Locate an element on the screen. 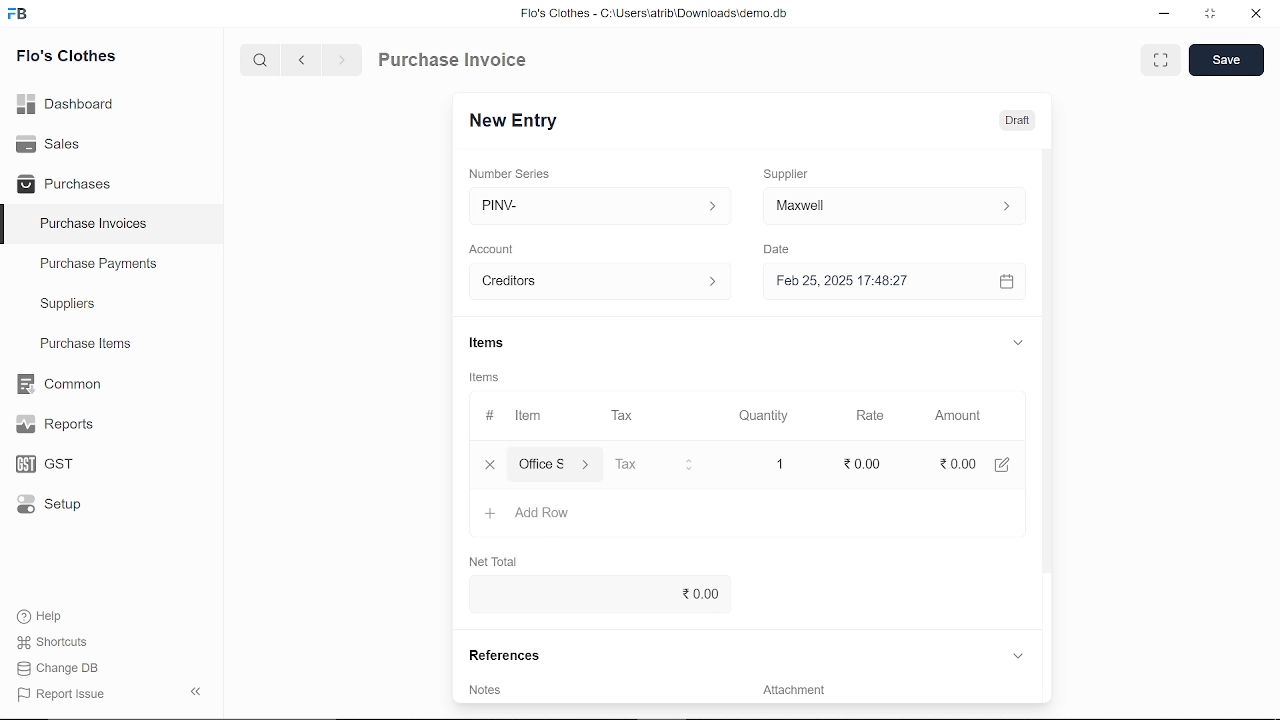 The width and height of the screenshot is (1280, 720).  Feb 25, 2025 17:48:27 is located at coordinates (874, 281).